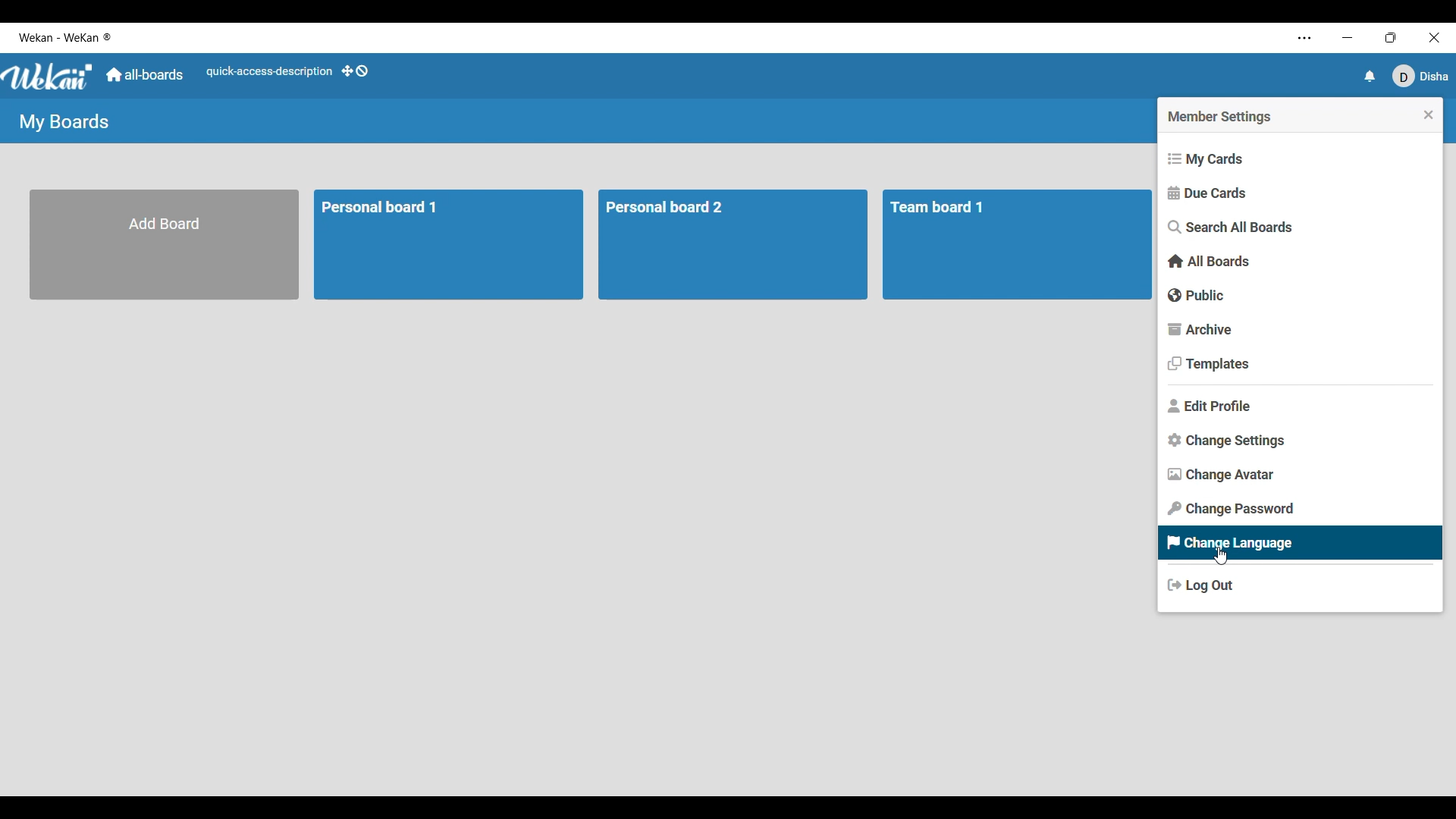 The width and height of the screenshot is (1456, 819). Describe the element at coordinates (1301, 585) in the screenshot. I see `Log out` at that location.